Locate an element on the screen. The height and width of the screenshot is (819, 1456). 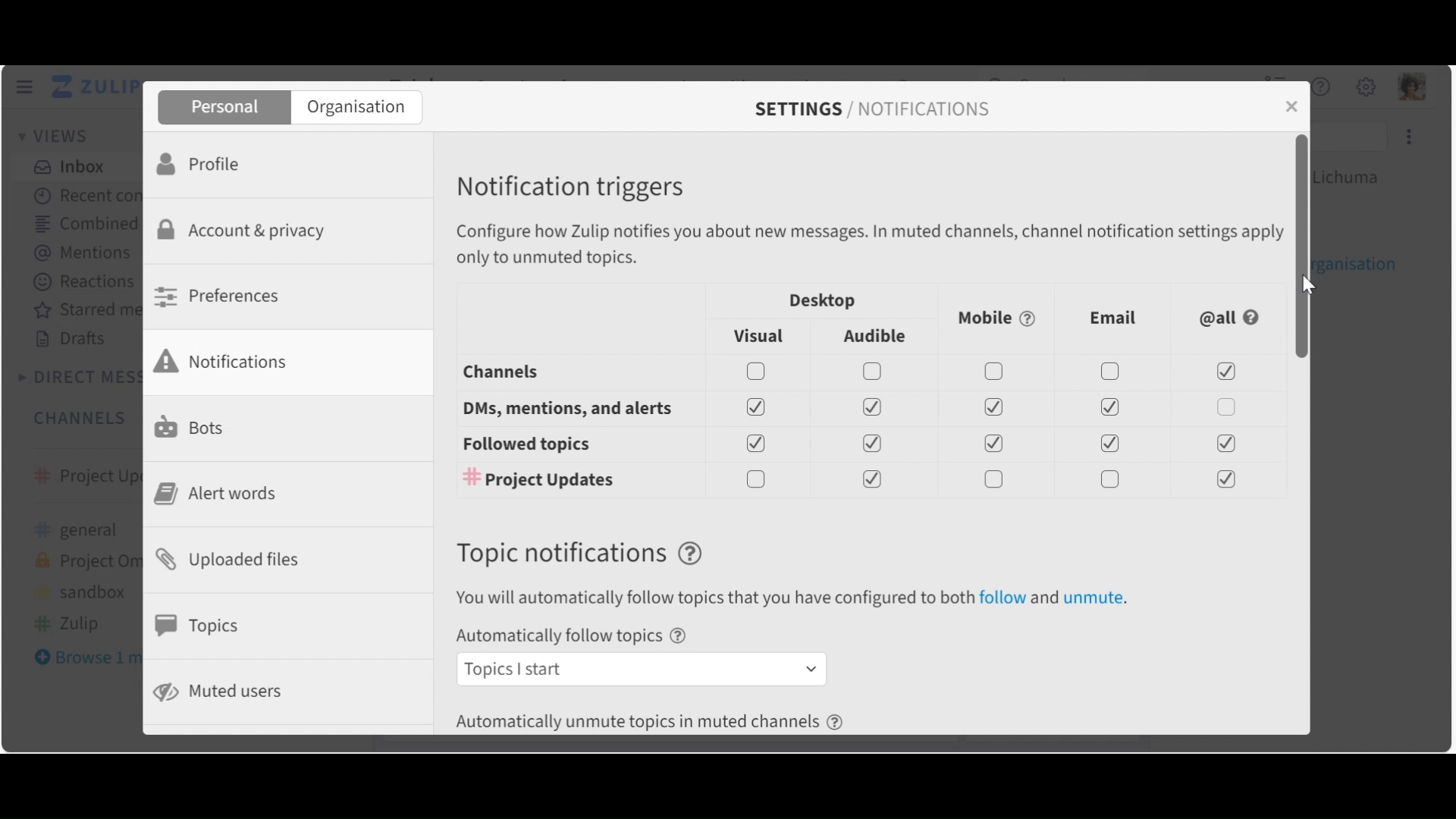
#Channel is located at coordinates (859, 479).